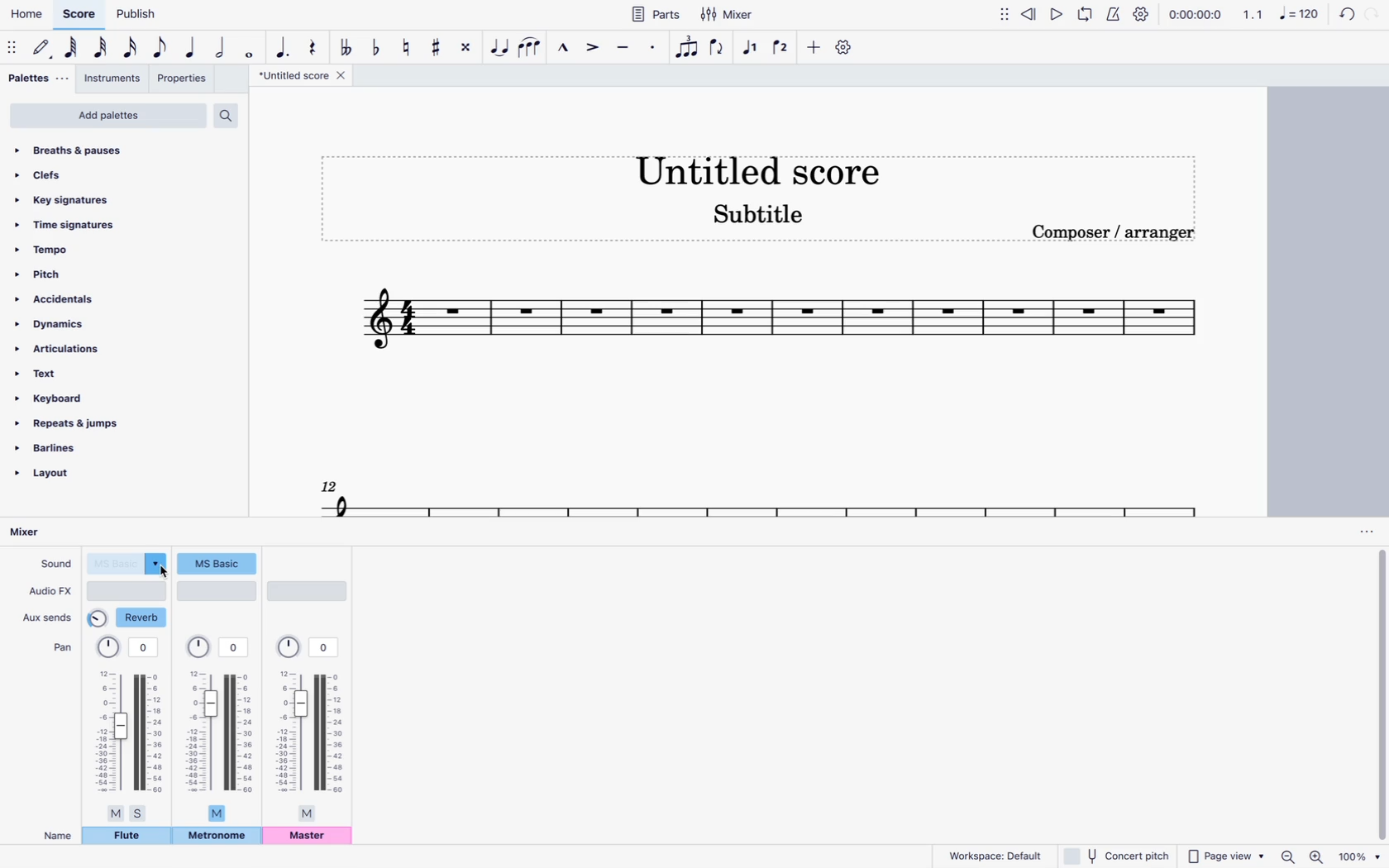 The height and width of the screenshot is (868, 1389). Describe the element at coordinates (1005, 13) in the screenshot. I see `move` at that location.